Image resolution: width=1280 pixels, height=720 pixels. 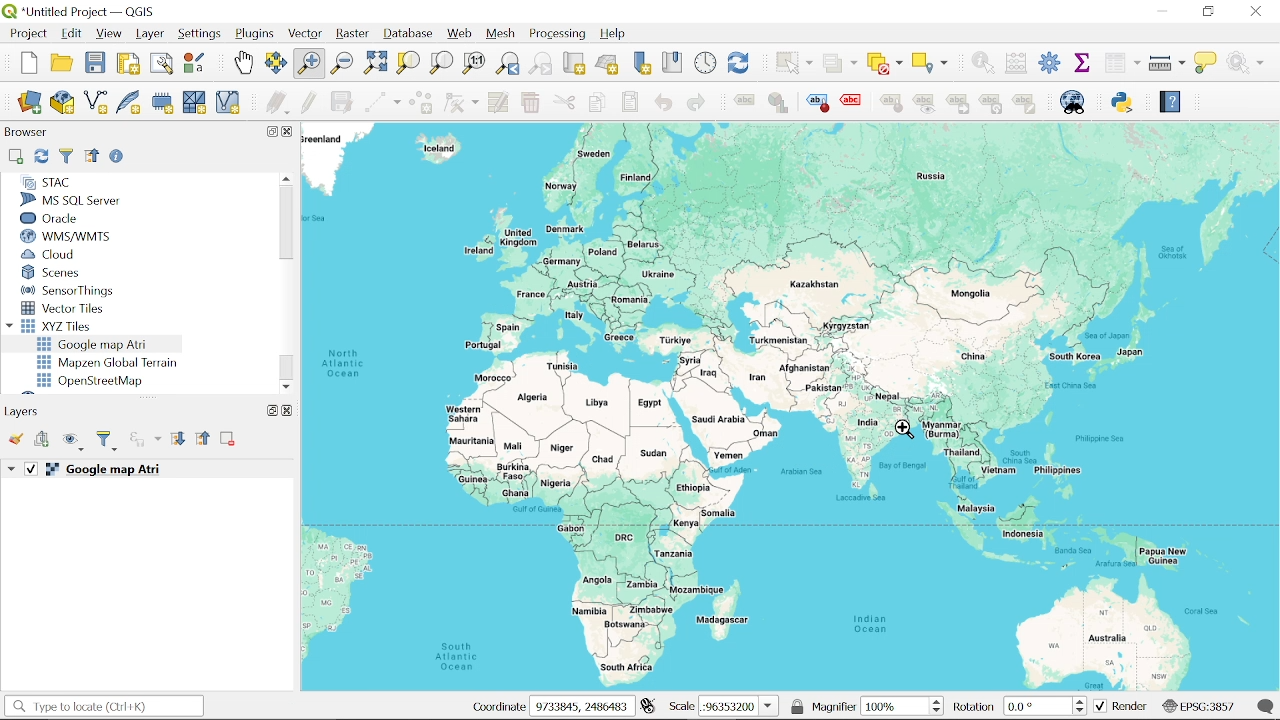 I want to click on insert audio, so click(x=145, y=441).